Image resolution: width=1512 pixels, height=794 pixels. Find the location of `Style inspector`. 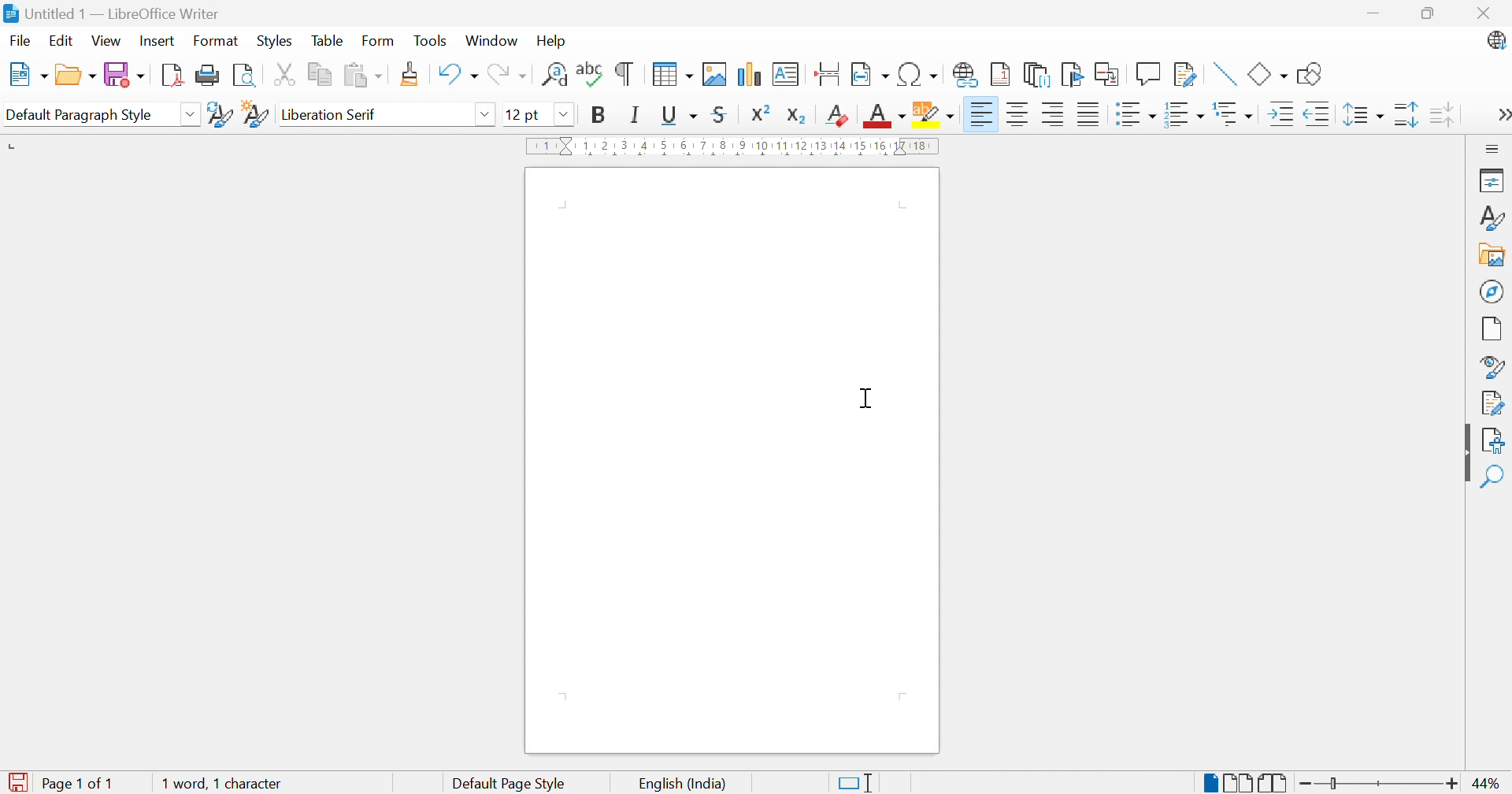

Style inspector is located at coordinates (1489, 365).